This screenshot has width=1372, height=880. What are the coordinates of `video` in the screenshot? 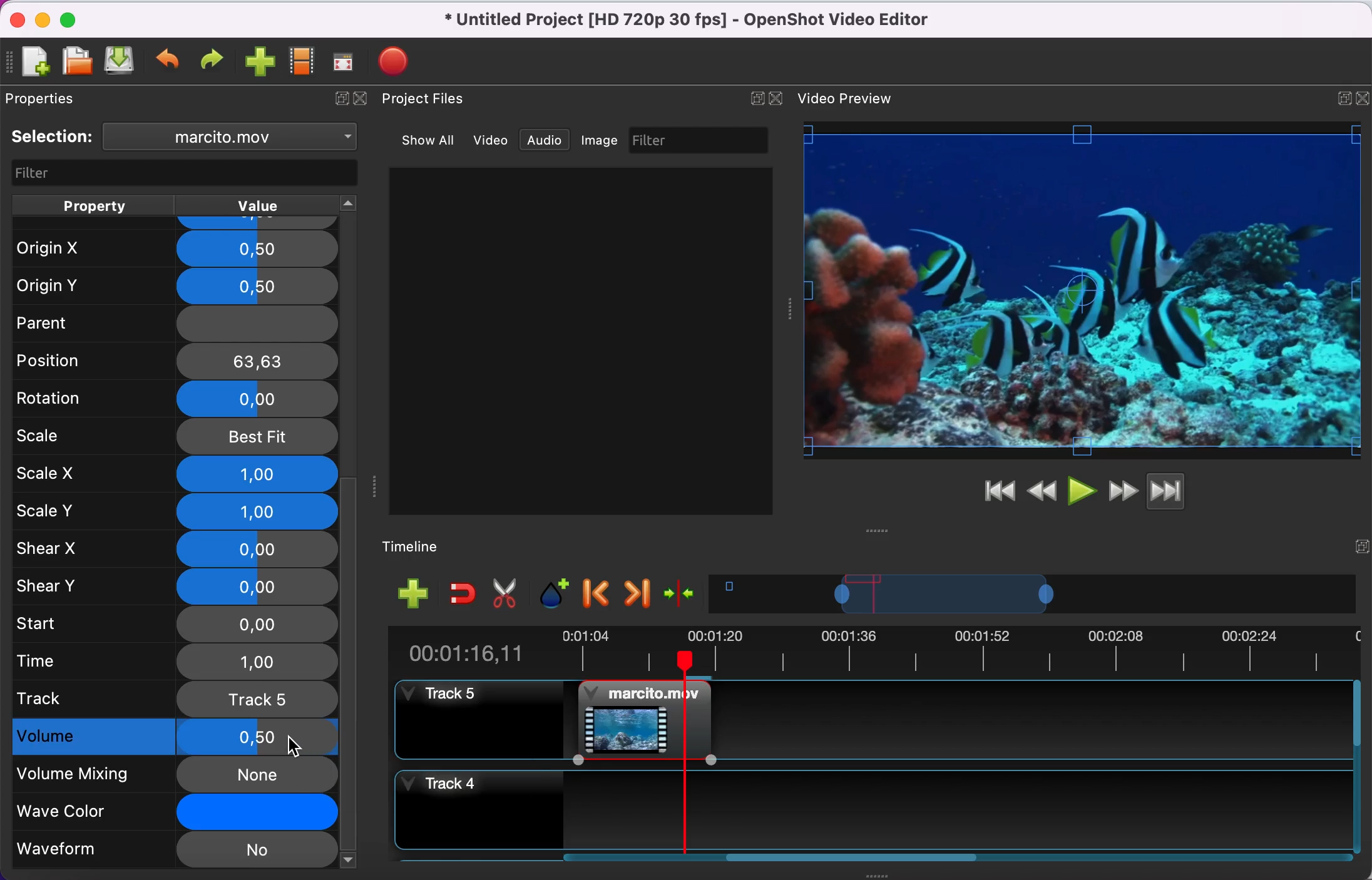 It's located at (491, 140).